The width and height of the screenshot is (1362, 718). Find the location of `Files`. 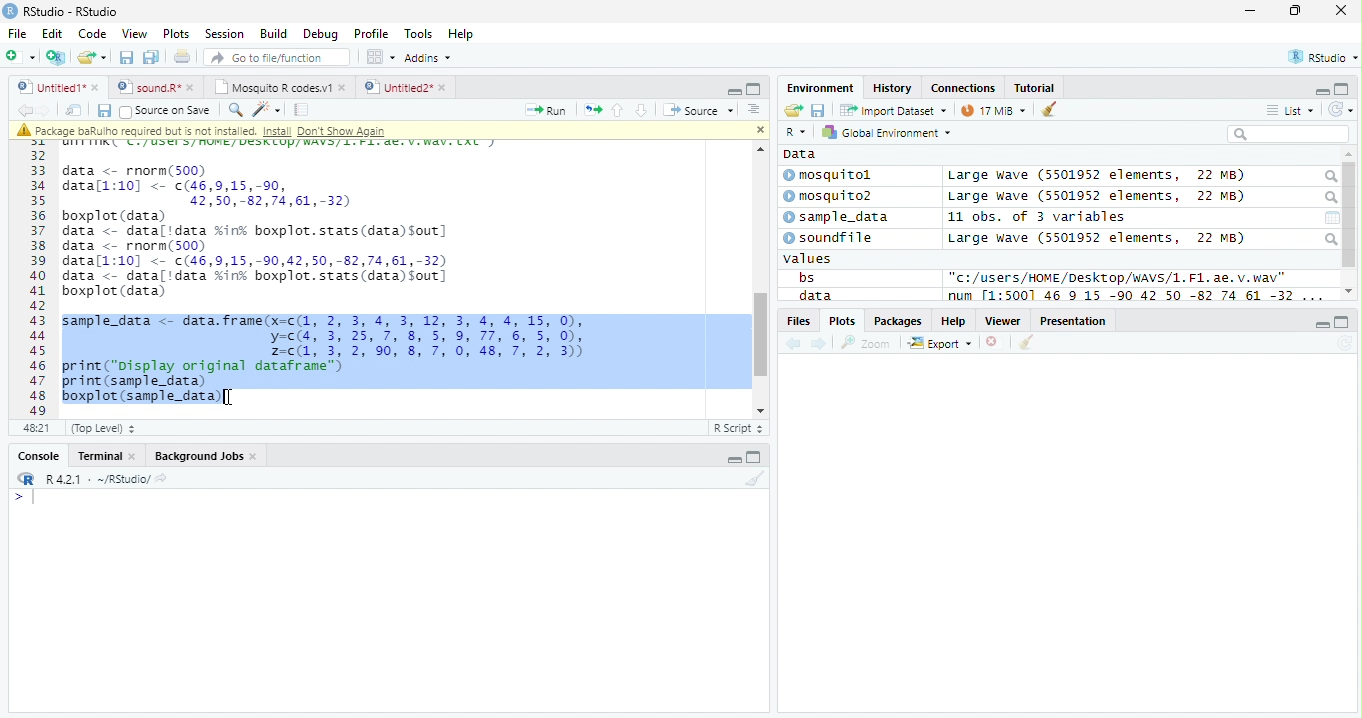

Files is located at coordinates (797, 321).